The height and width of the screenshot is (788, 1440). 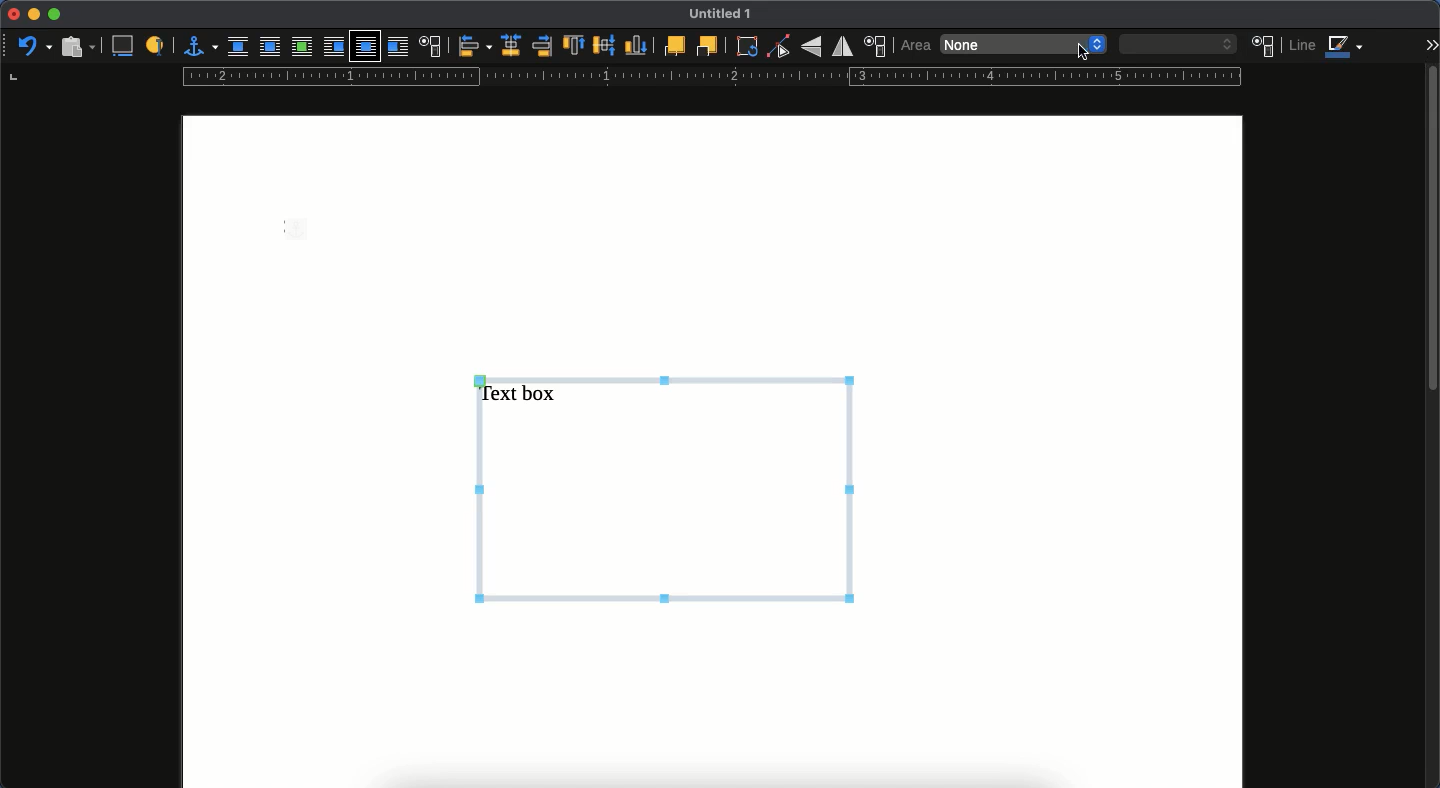 I want to click on rotate, so click(x=747, y=48).